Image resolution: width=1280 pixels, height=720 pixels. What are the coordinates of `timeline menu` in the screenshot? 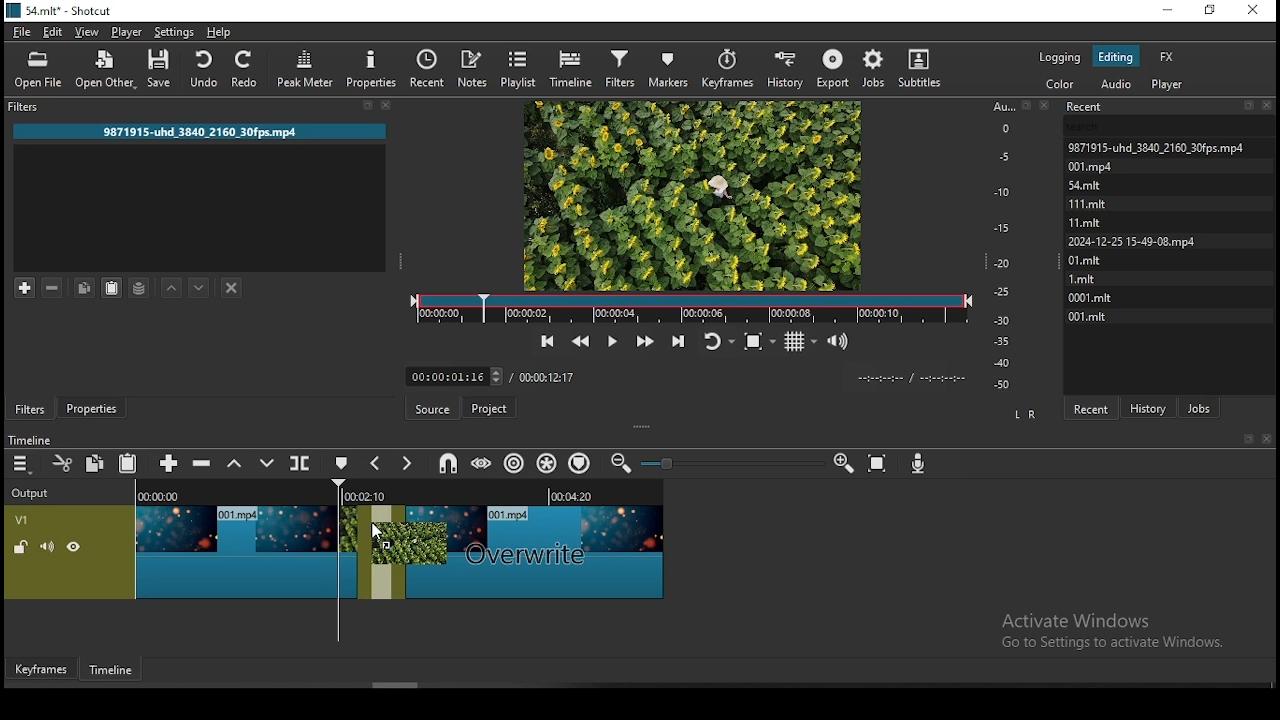 It's located at (22, 465).